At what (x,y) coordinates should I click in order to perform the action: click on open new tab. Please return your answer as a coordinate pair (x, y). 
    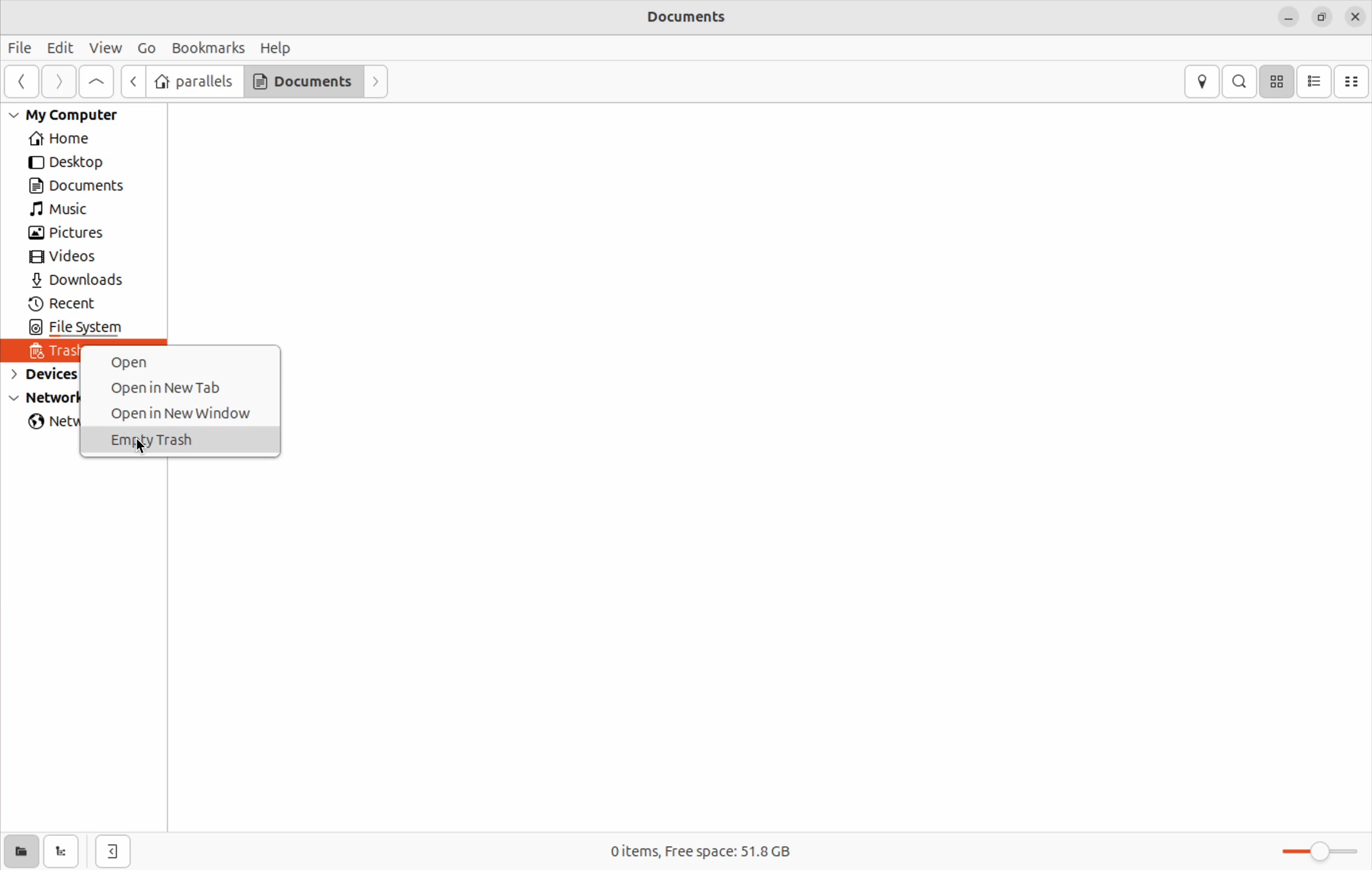
    Looking at the image, I should click on (178, 389).